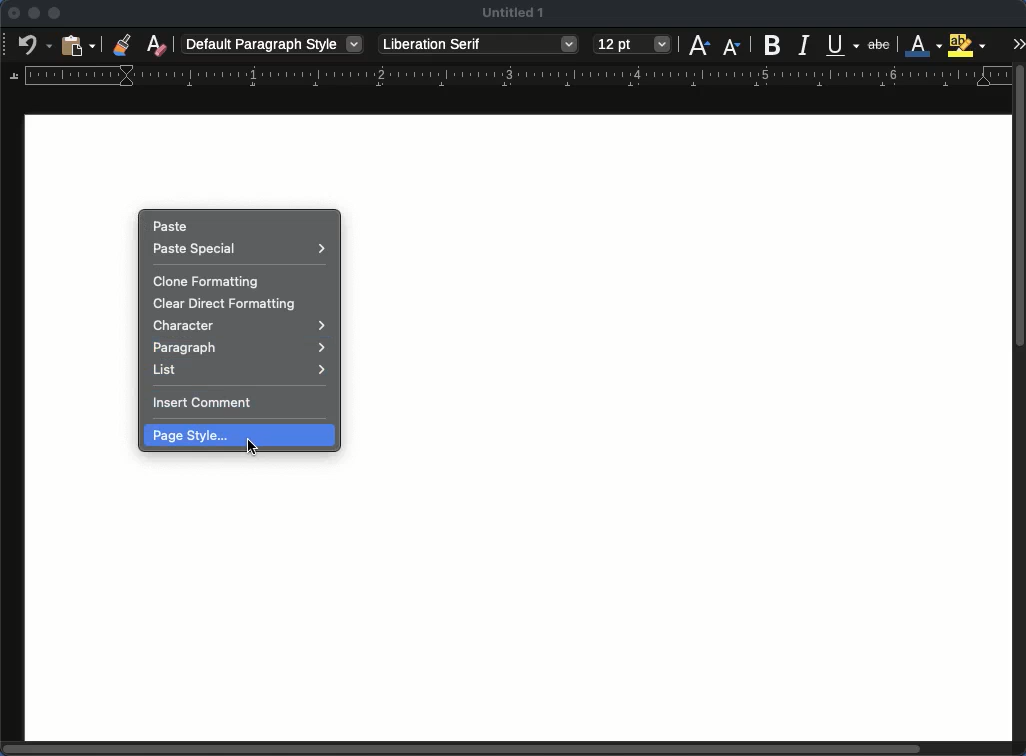 Image resolution: width=1026 pixels, height=756 pixels. I want to click on paste, so click(78, 44).